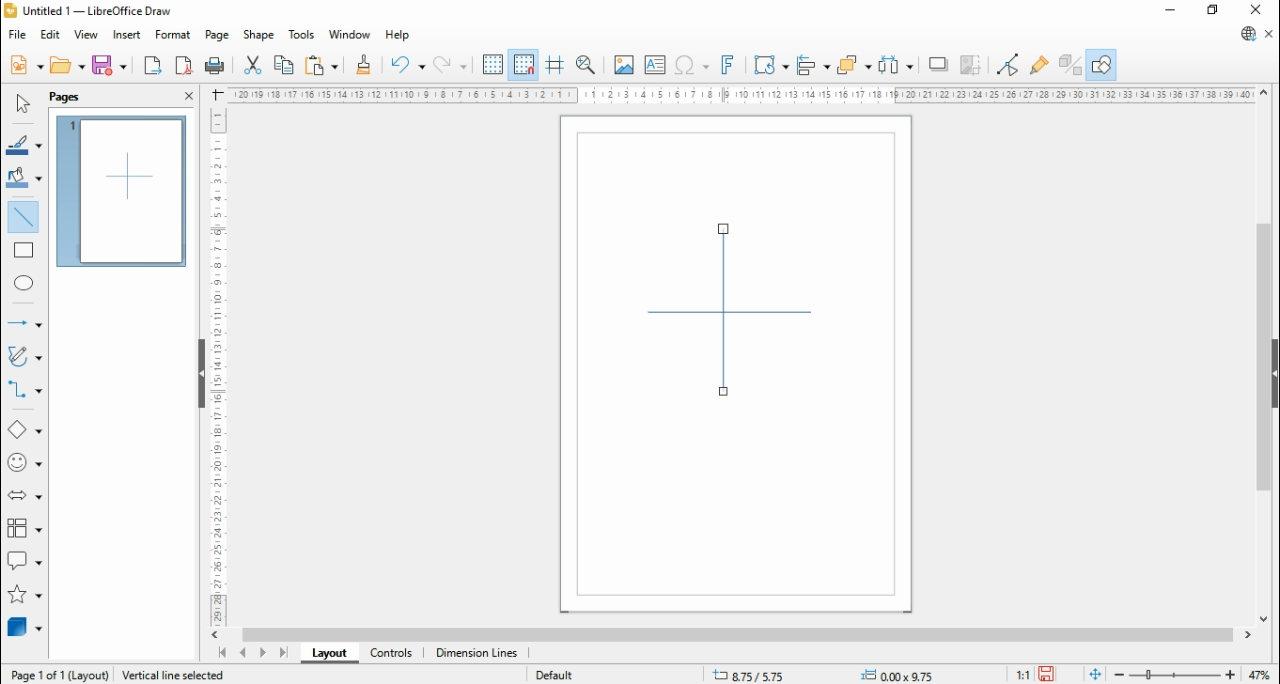 This screenshot has height=684, width=1280. I want to click on lines and arrows, so click(22, 323).